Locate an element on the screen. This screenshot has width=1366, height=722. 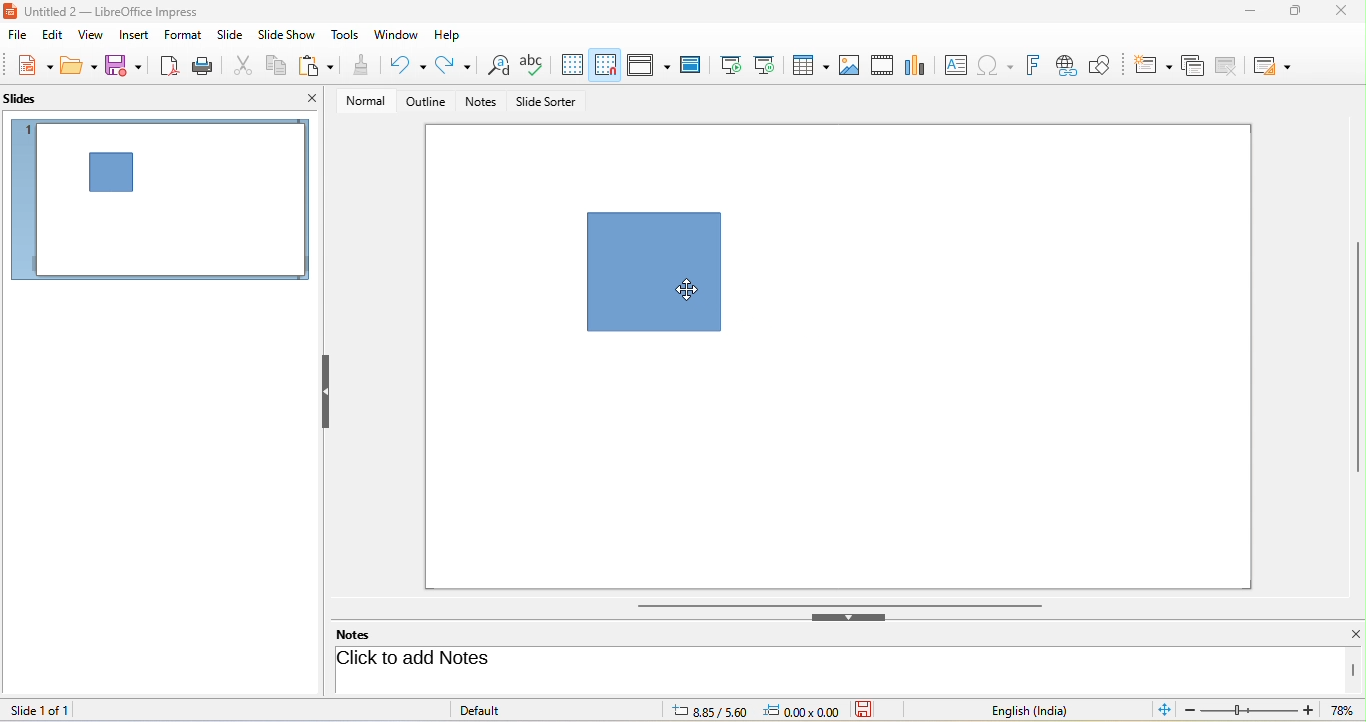
start from current slide is located at coordinates (770, 65).